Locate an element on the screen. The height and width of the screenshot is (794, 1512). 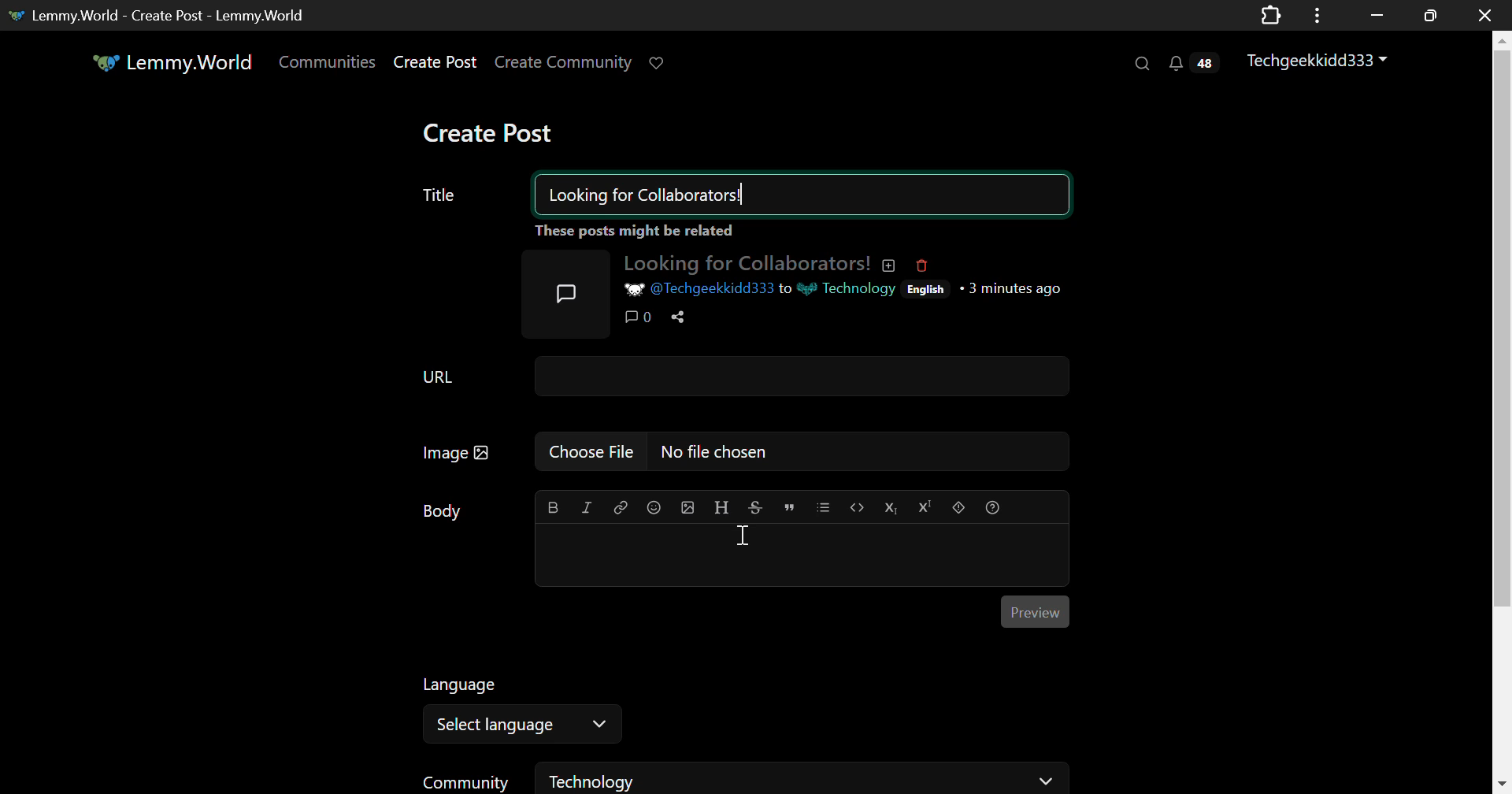
Close Window is located at coordinates (1480, 16).